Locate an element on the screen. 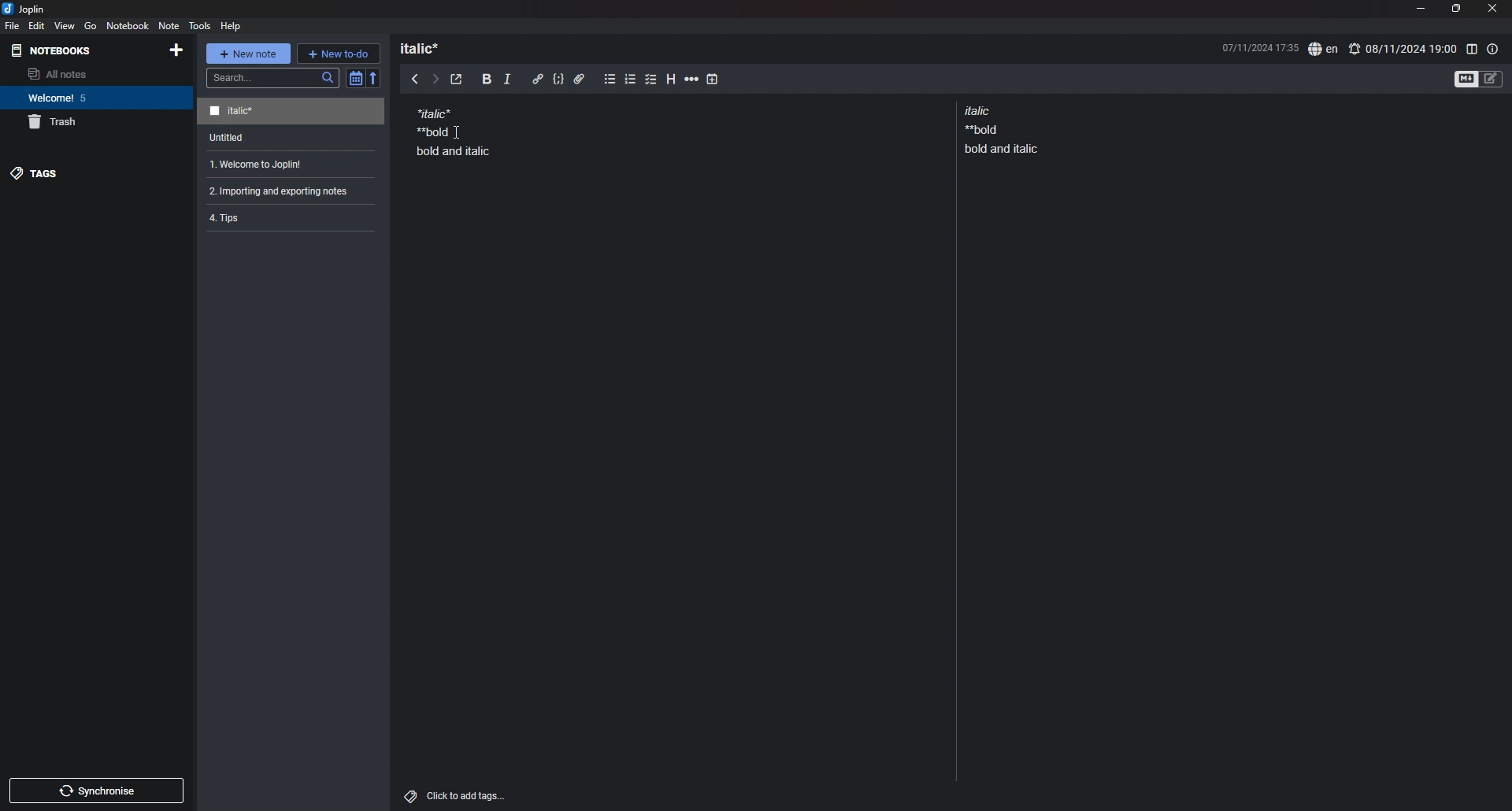 Image resolution: width=1512 pixels, height=811 pixels. note is located at coordinates (291, 112).